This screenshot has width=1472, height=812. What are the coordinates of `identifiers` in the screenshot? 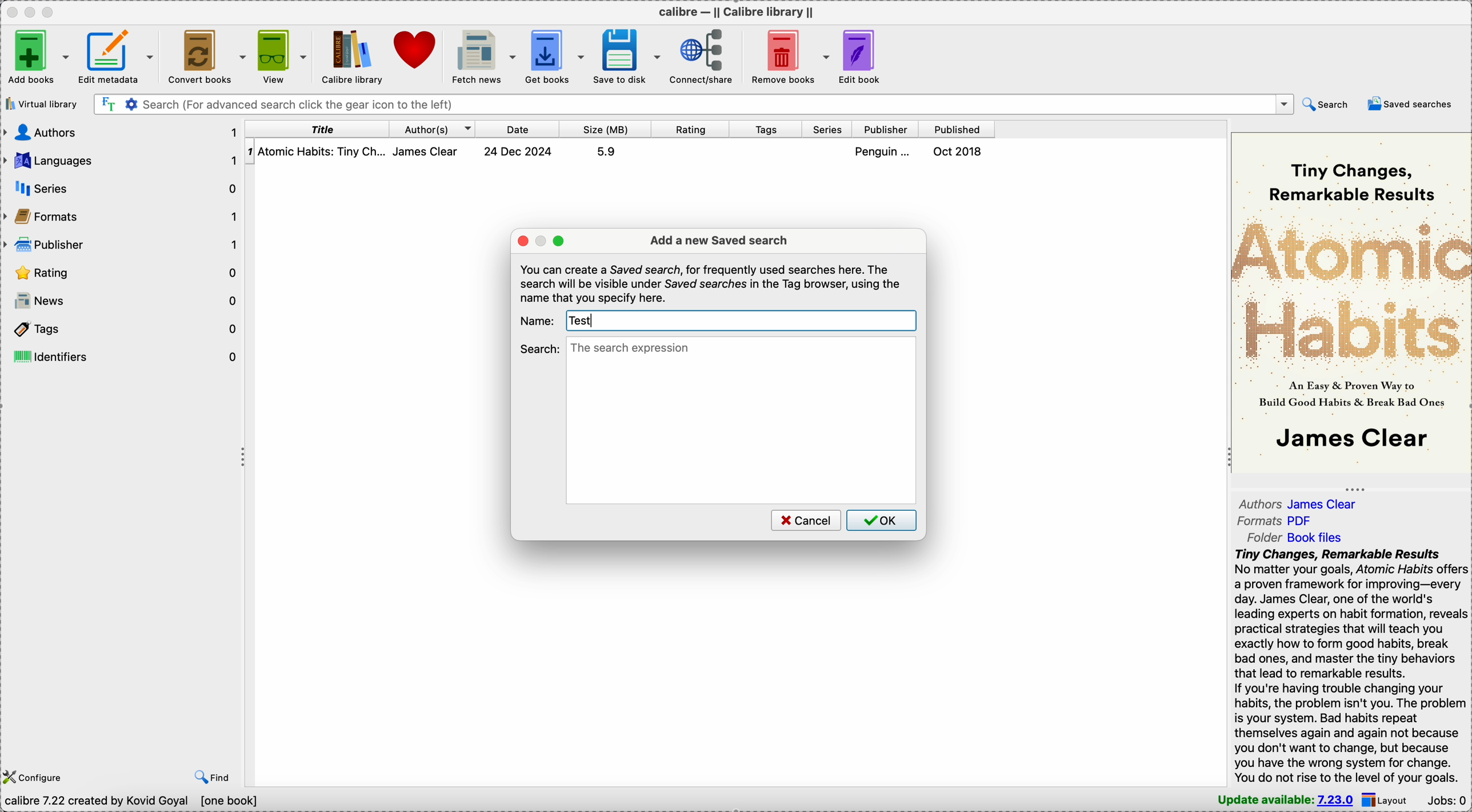 It's located at (123, 356).